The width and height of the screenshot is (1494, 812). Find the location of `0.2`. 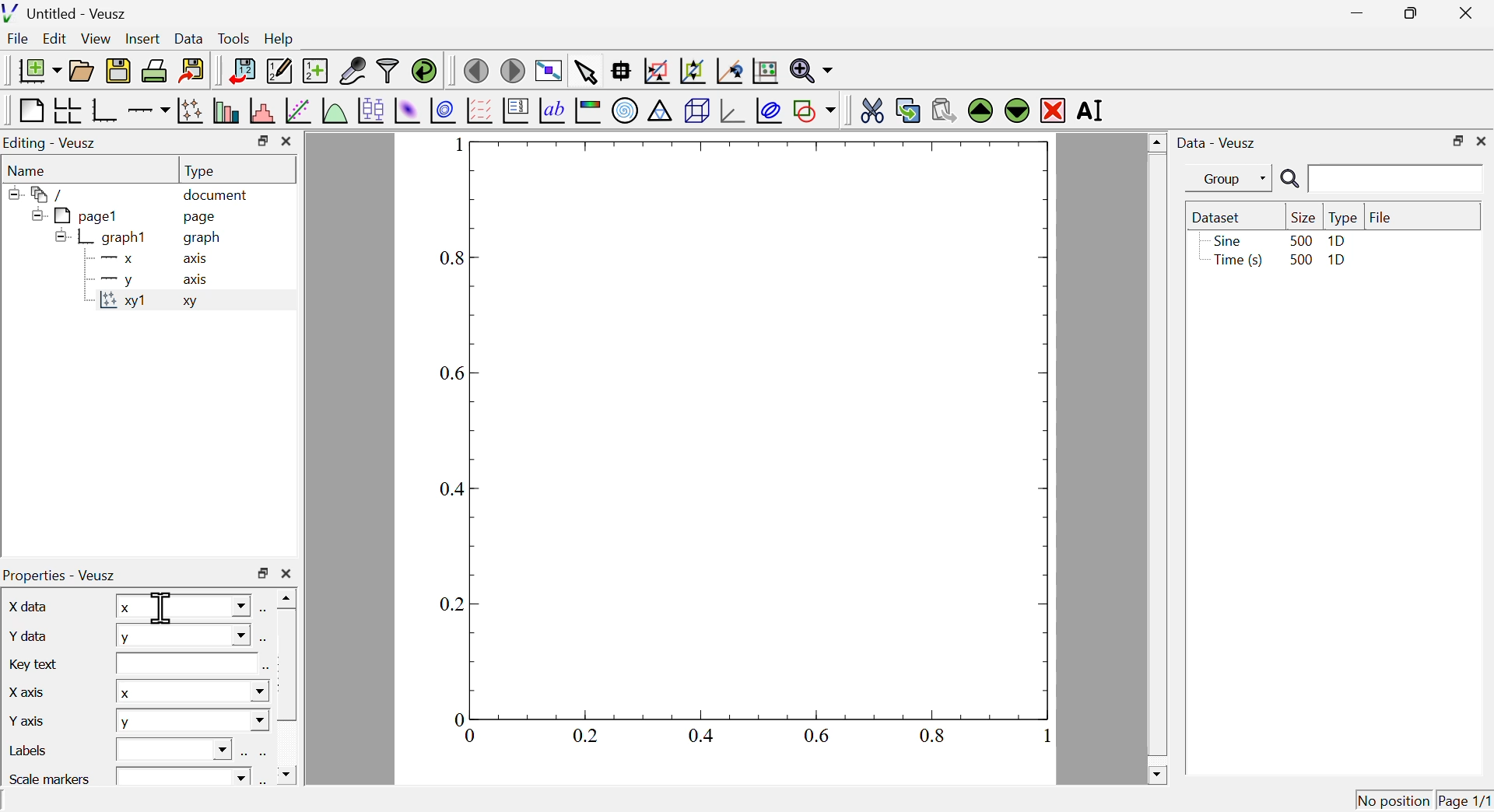

0.2 is located at coordinates (452, 604).